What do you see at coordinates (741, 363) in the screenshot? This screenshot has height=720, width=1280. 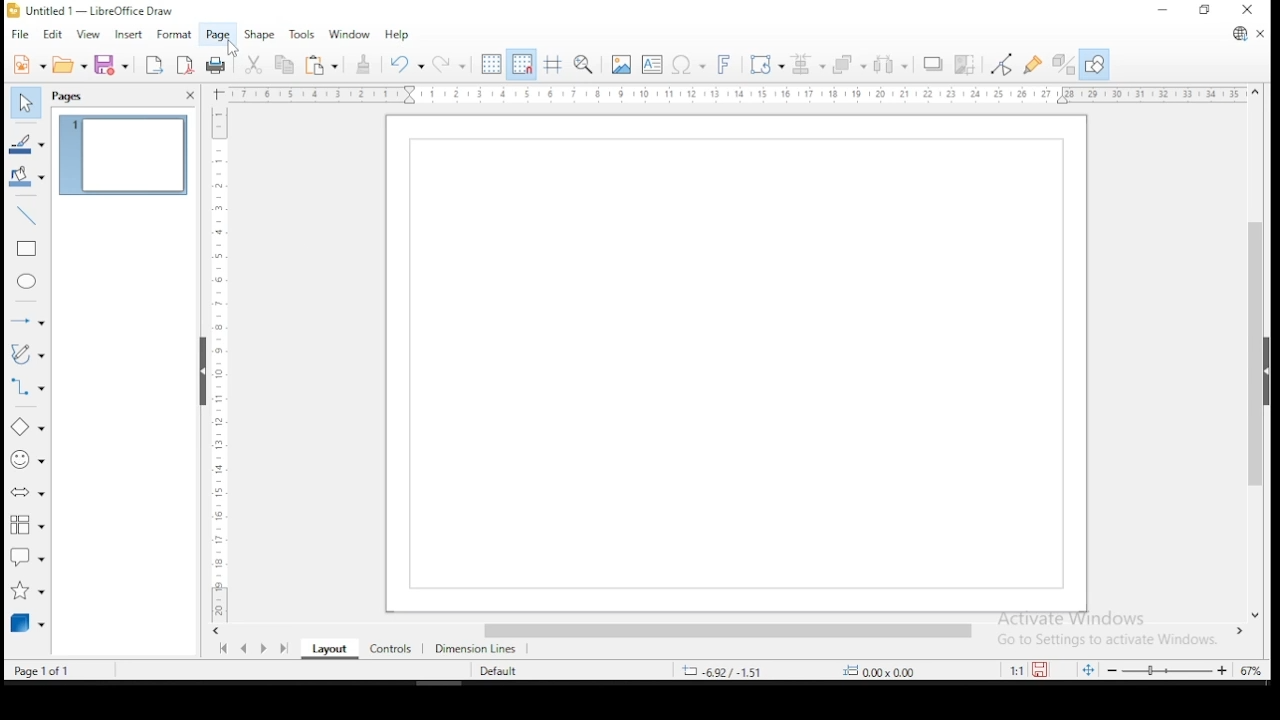 I see `Page` at bounding box center [741, 363].